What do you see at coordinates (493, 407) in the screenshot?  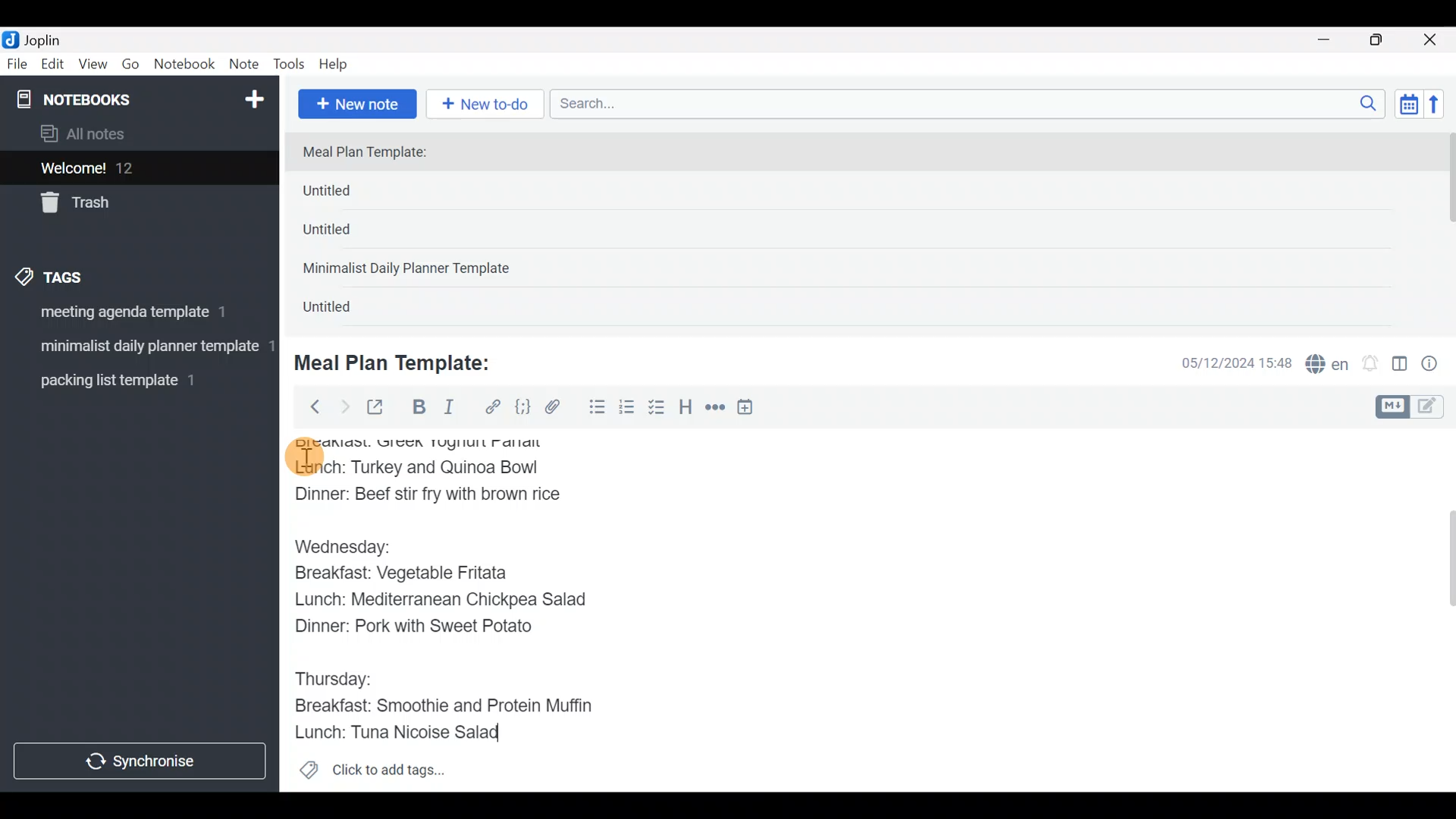 I see `Hyperlink` at bounding box center [493, 407].